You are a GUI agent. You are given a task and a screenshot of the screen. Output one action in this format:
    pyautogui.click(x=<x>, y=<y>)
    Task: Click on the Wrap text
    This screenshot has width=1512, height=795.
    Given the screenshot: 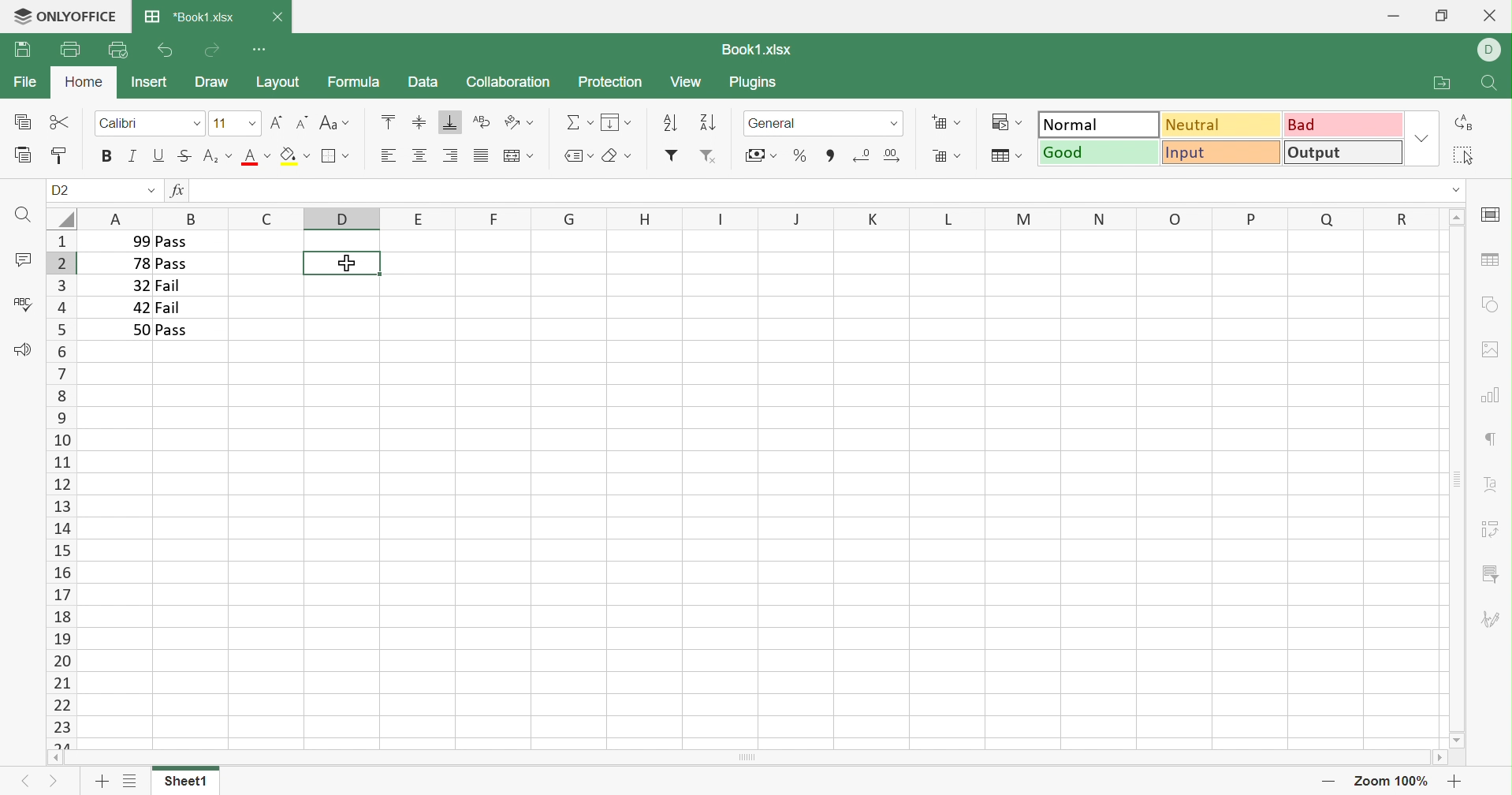 What is the action you would take?
    pyautogui.click(x=480, y=122)
    